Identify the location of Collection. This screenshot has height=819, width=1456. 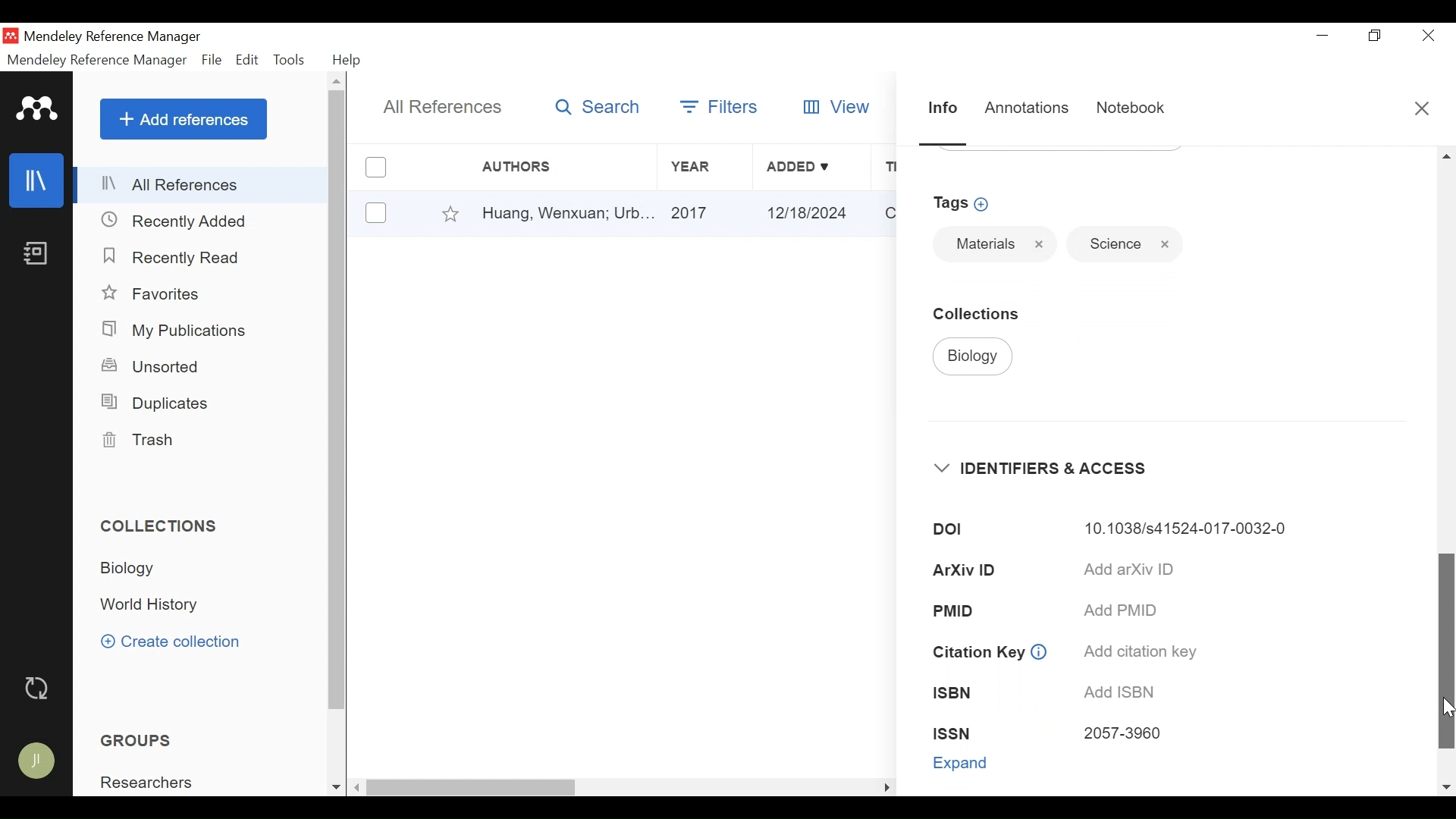
(984, 313).